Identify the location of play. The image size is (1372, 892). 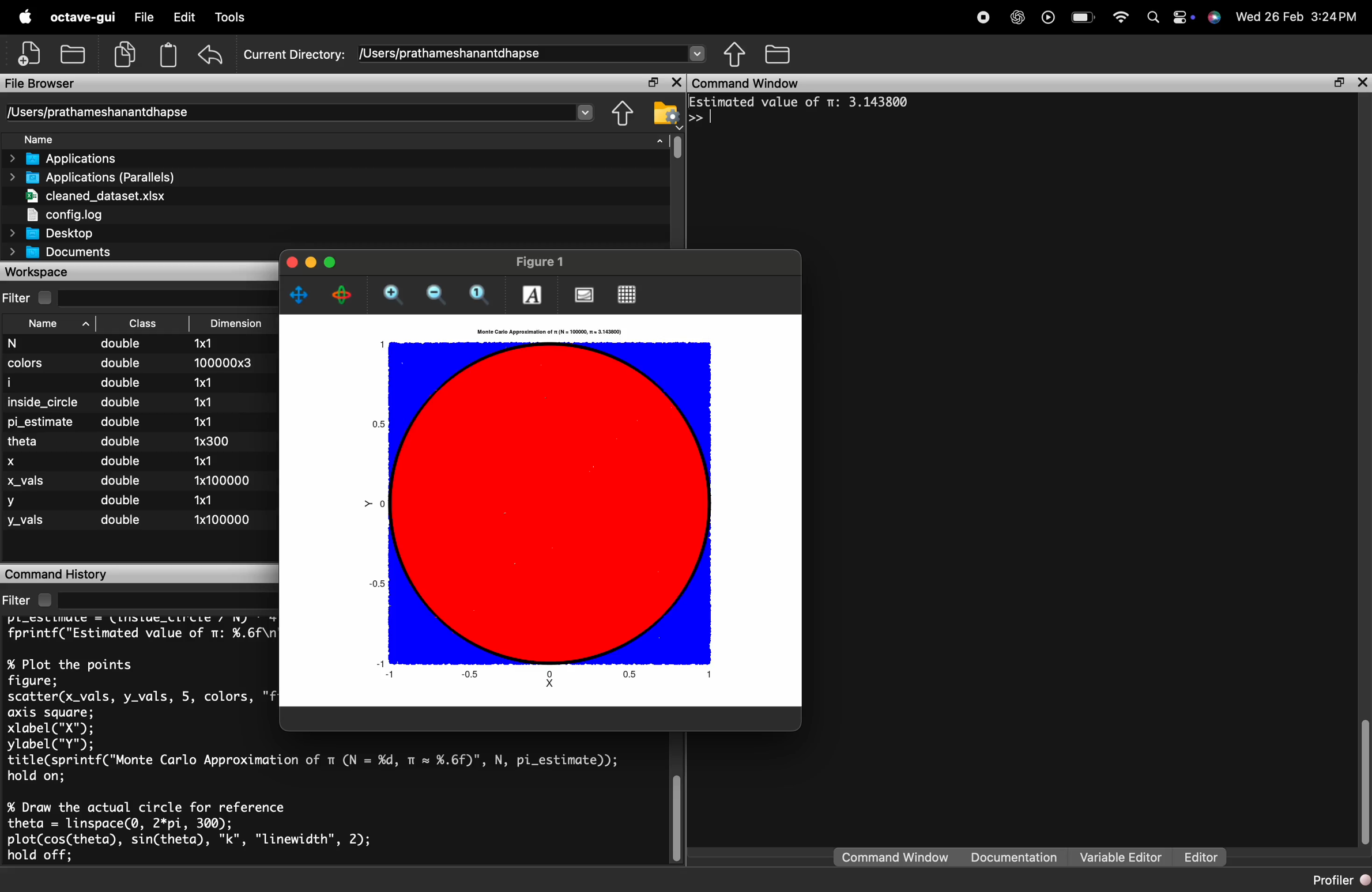
(1046, 18).